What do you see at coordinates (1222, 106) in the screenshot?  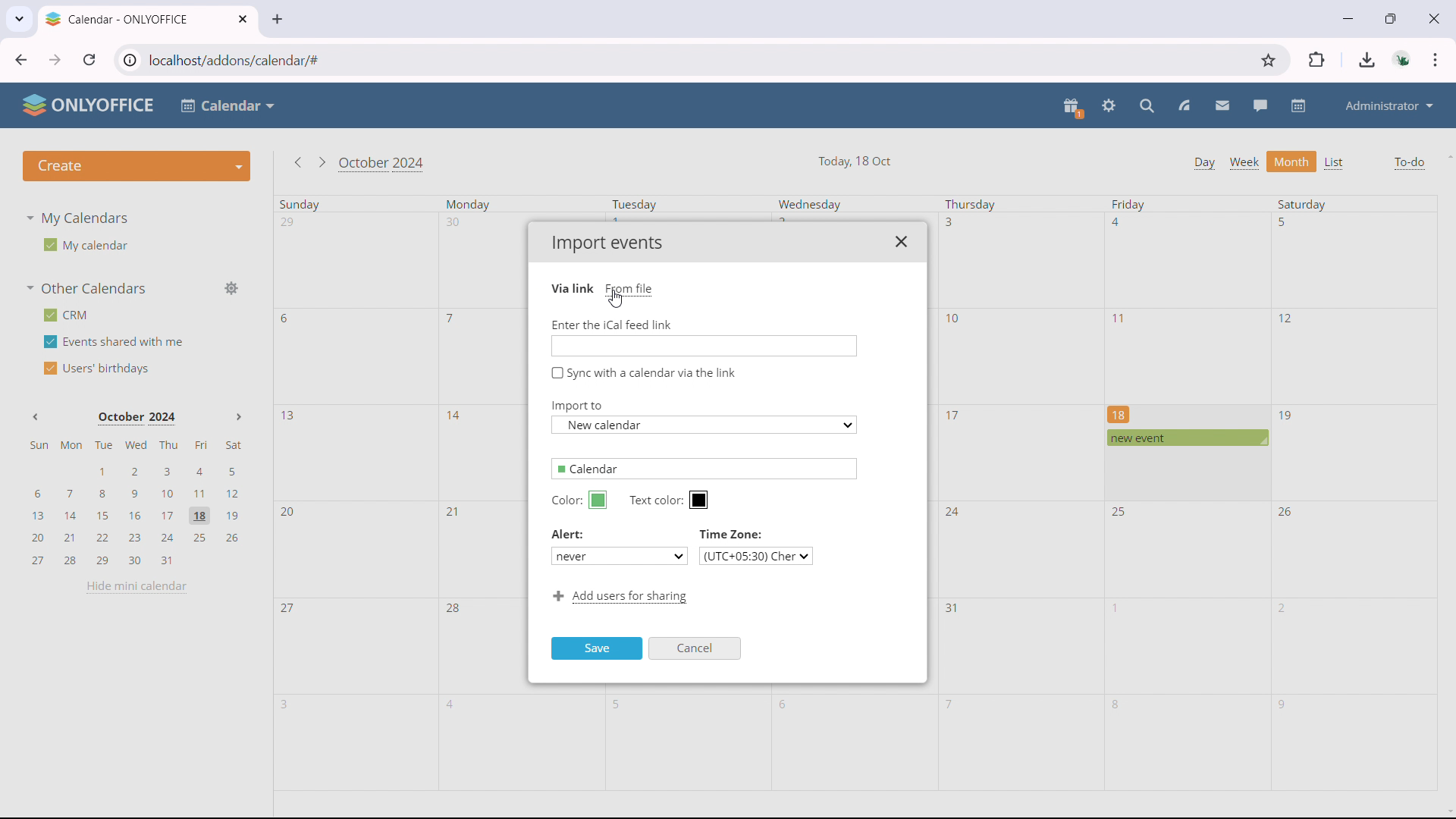 I see `mail` at bounding box center [1222, 106].